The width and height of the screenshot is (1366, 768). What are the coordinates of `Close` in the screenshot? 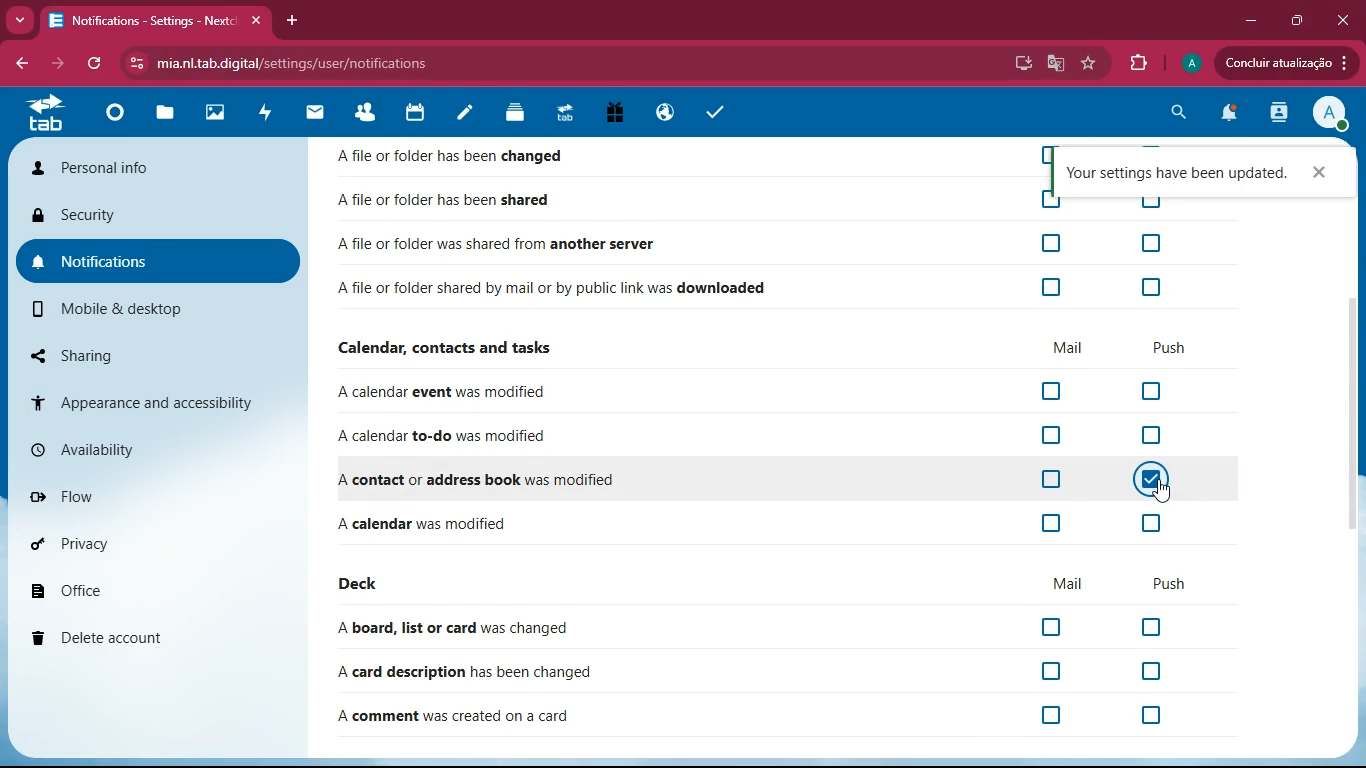 It's located at (1343, 20).